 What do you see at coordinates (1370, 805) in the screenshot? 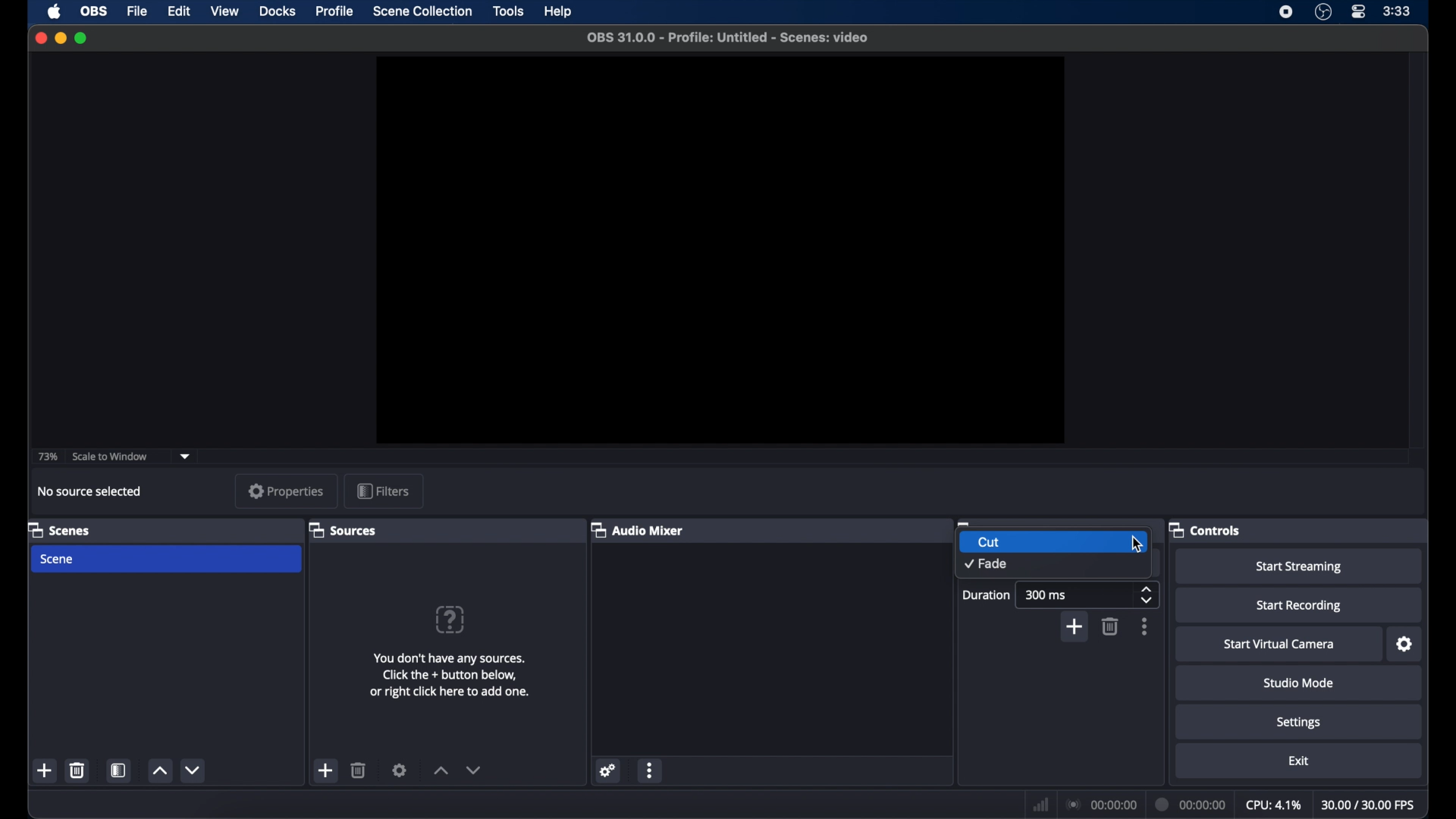
I see `fps` at bounding box center [1370, 805].